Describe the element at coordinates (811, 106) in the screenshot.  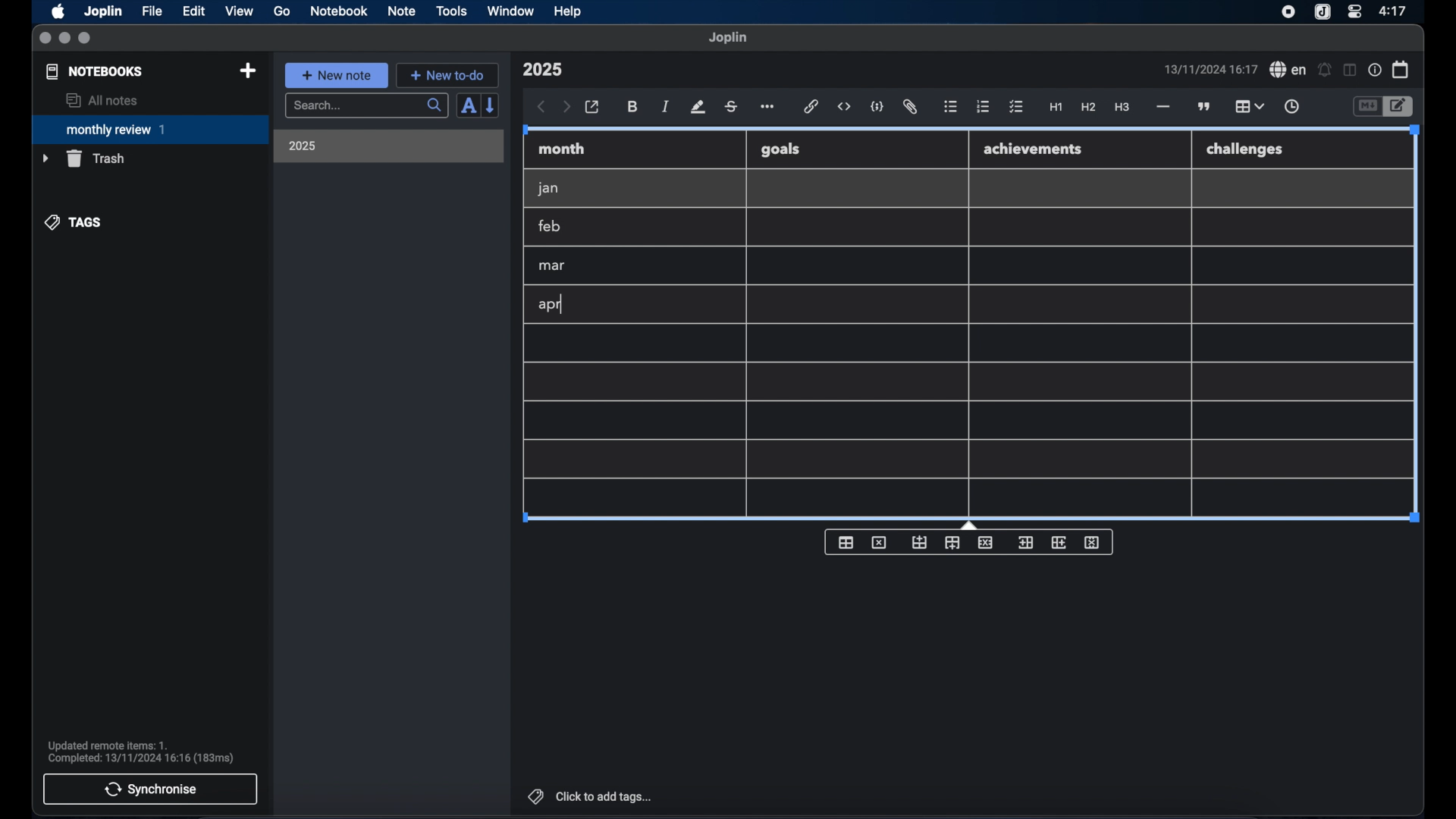
I see `hyperlink` at that location.